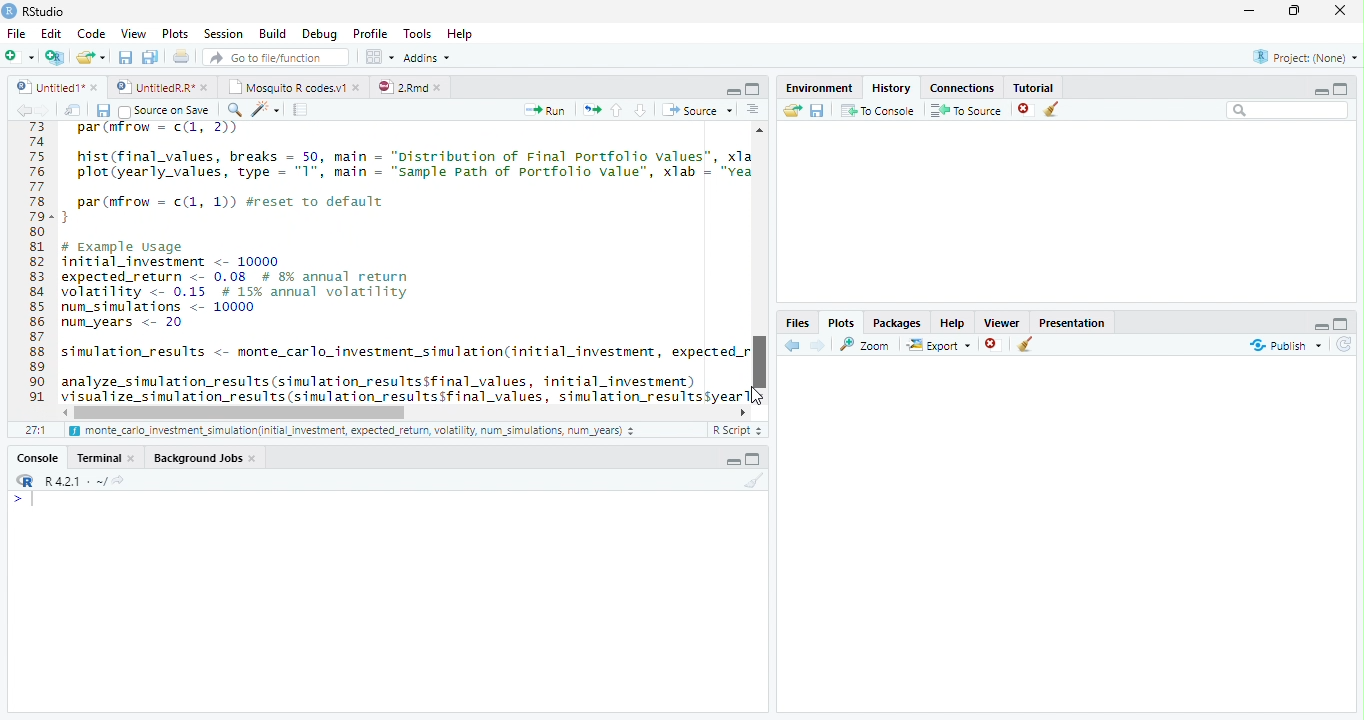 This screenshot has width=1364, height=720. Describe the element at coordinates (1288, 110) in the screenshot. I see `Search` at that location.